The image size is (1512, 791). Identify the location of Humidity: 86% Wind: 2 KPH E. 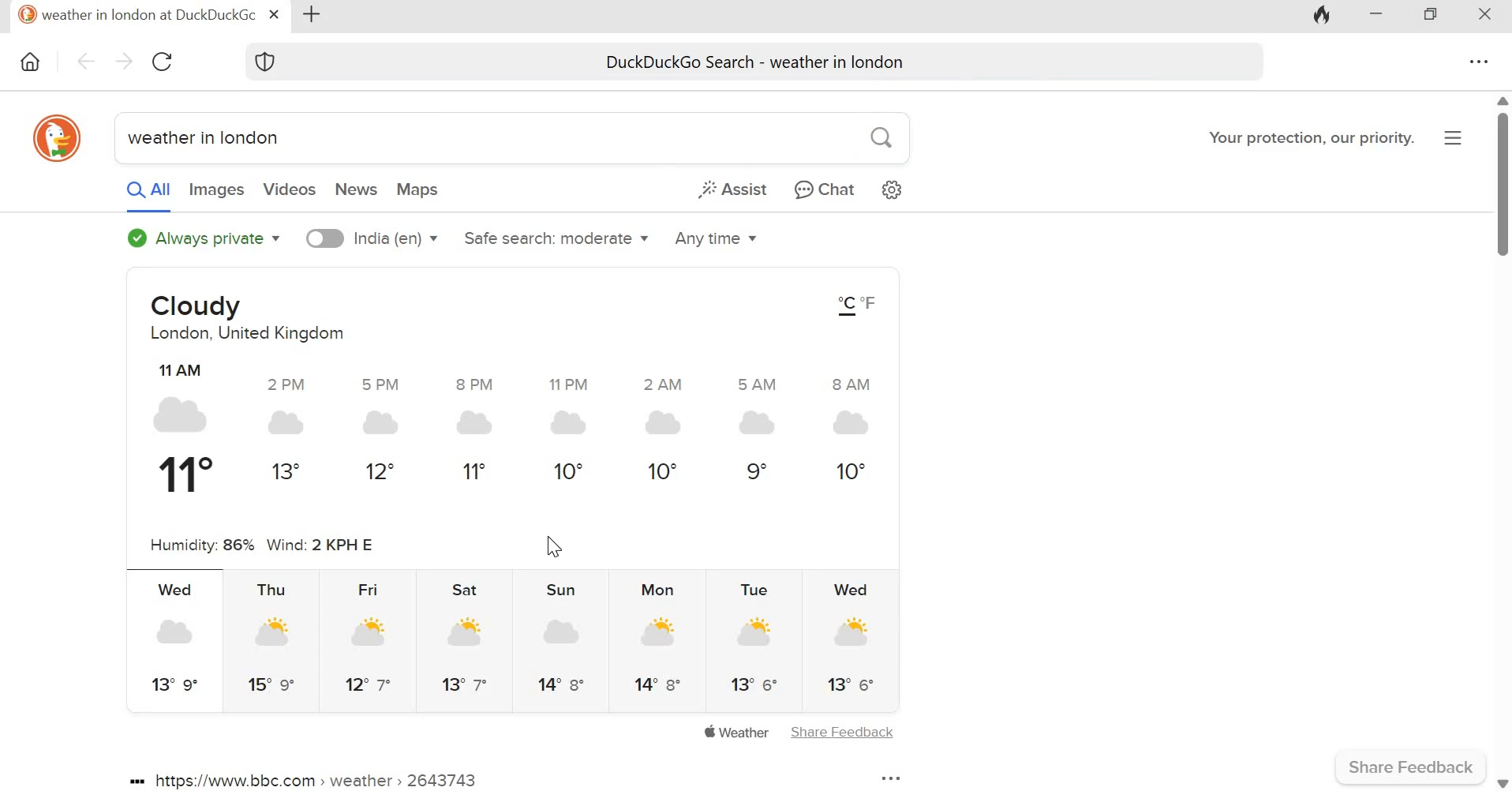
(262, 545).